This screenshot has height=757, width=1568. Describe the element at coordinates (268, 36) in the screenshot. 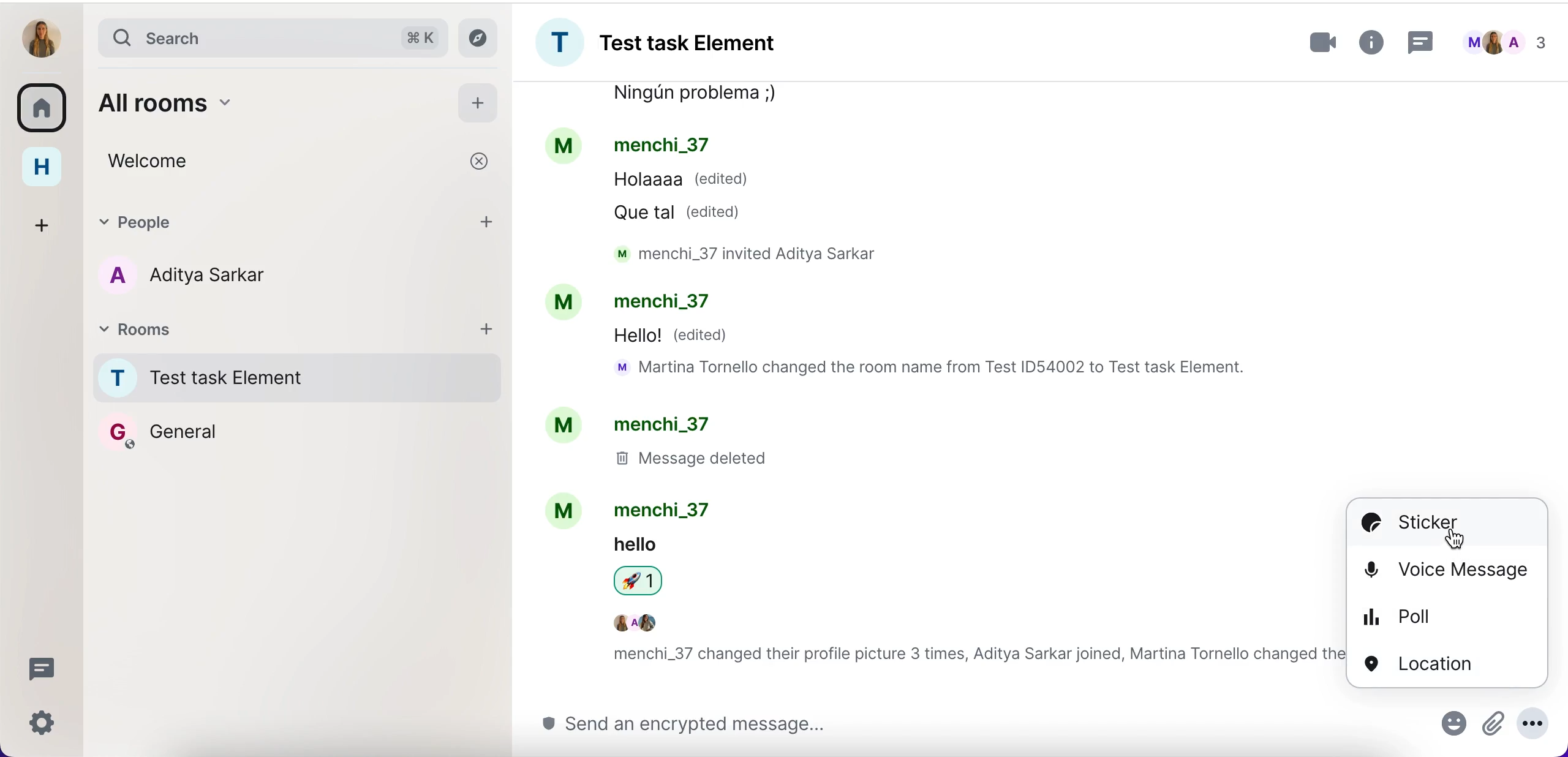

I see `search bar` at that location.